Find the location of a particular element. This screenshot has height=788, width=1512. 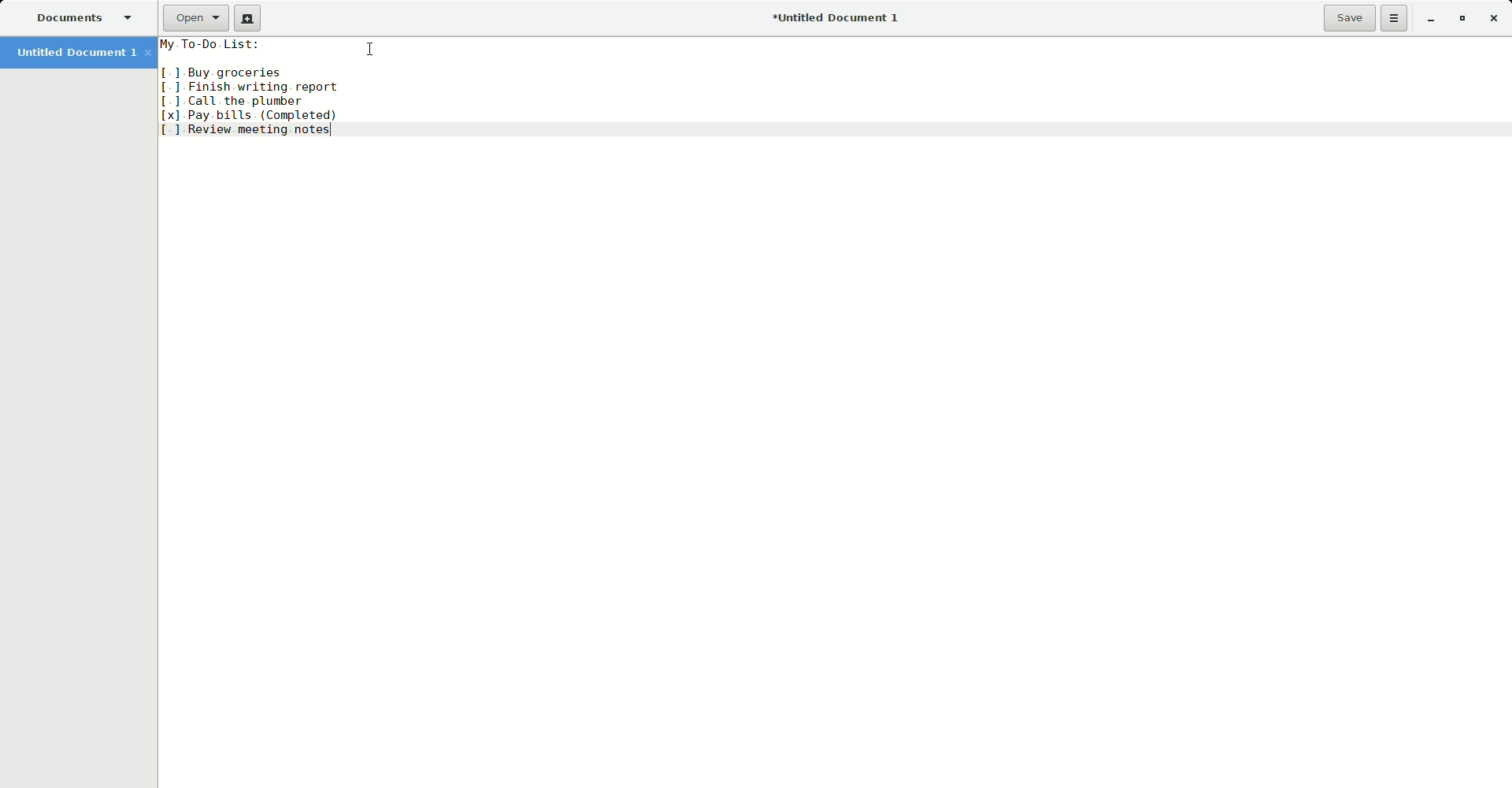

Cursor is located at coordinates (367, 47).